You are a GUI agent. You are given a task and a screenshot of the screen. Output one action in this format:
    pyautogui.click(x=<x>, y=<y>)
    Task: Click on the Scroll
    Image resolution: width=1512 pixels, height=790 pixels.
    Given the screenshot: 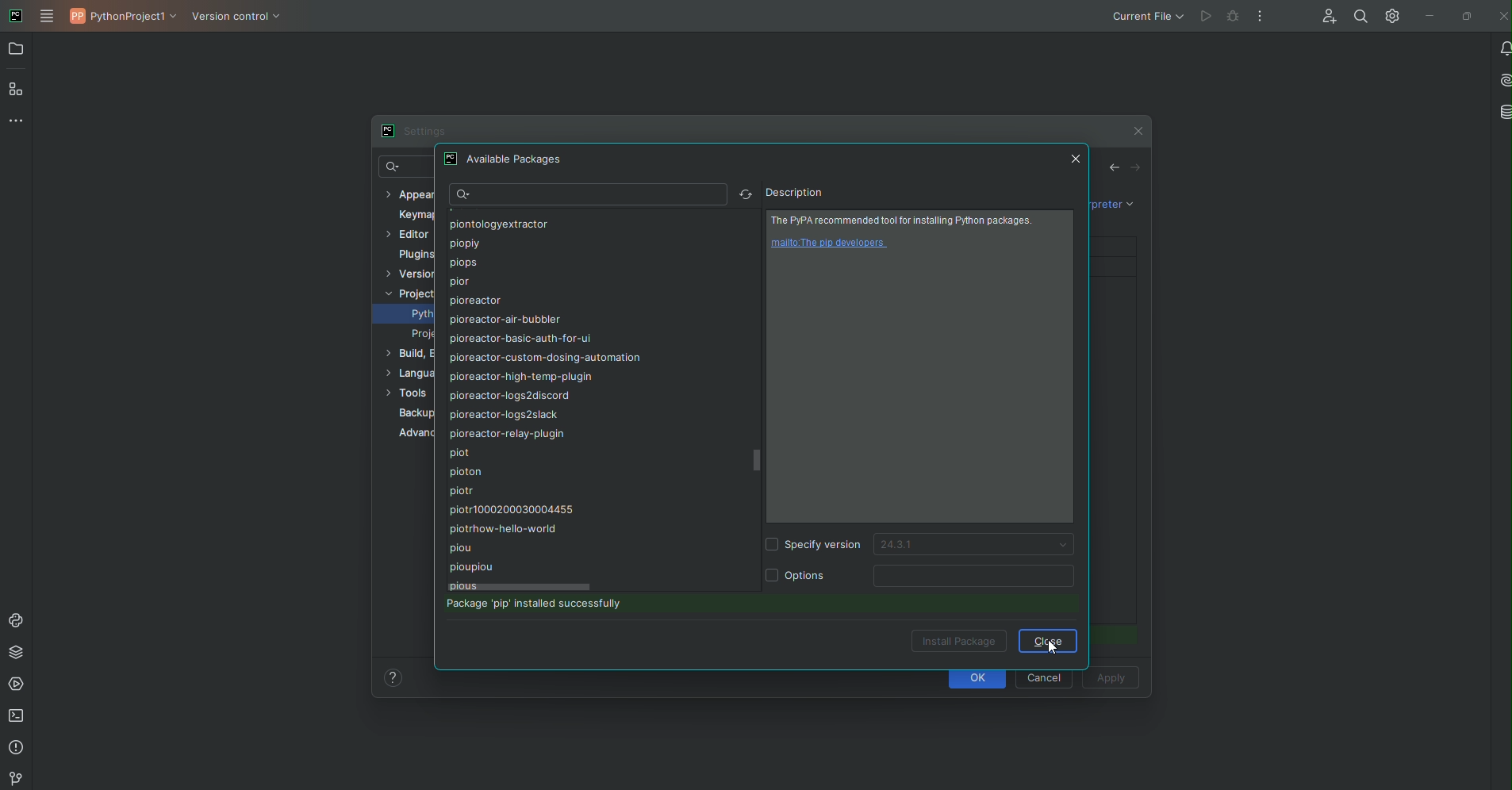 What is the action you would take?
    pyautogui.click(x=758, y=462)
    